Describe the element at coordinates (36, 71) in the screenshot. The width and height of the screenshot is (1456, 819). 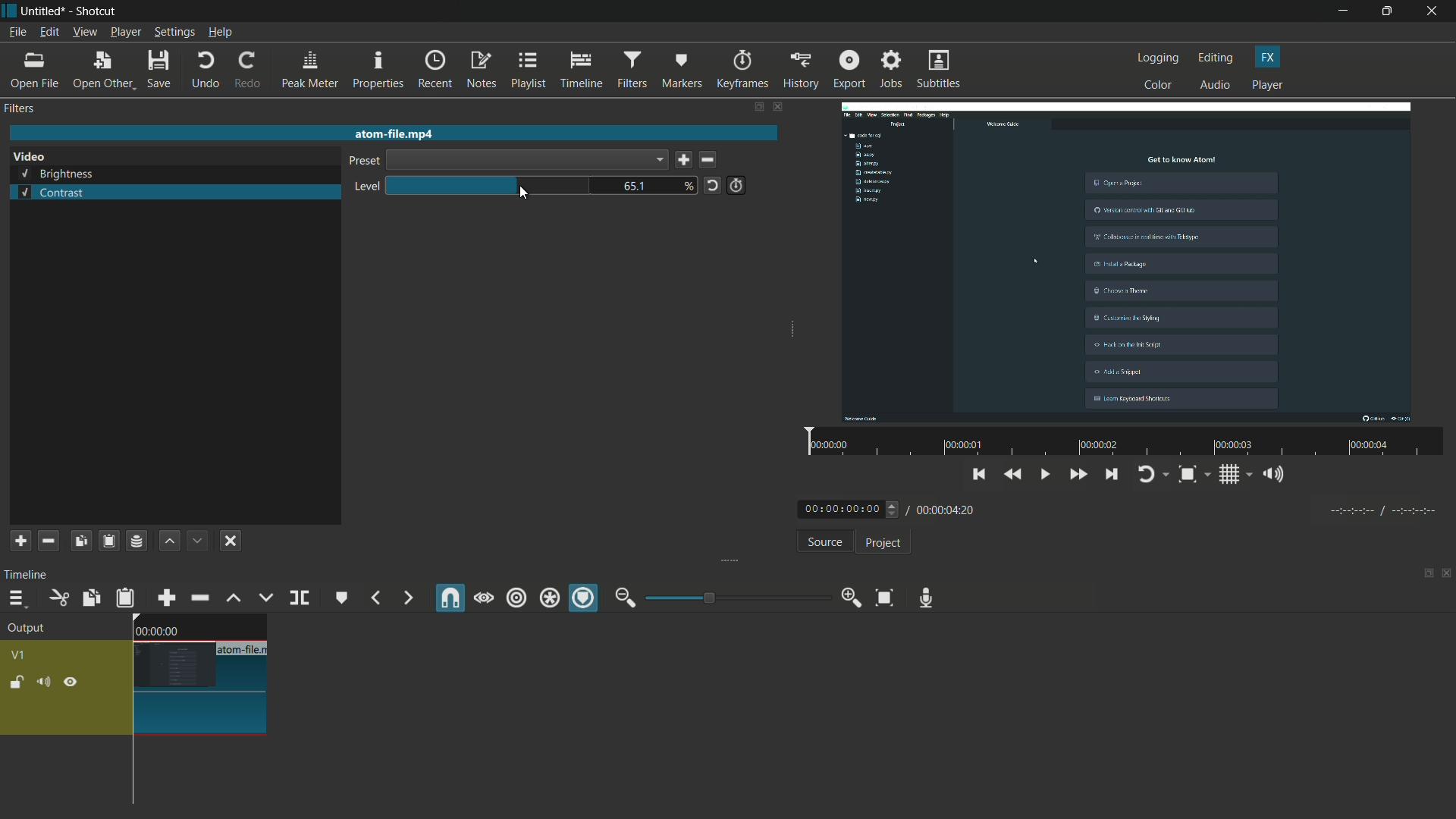
I see `open file` at that location.